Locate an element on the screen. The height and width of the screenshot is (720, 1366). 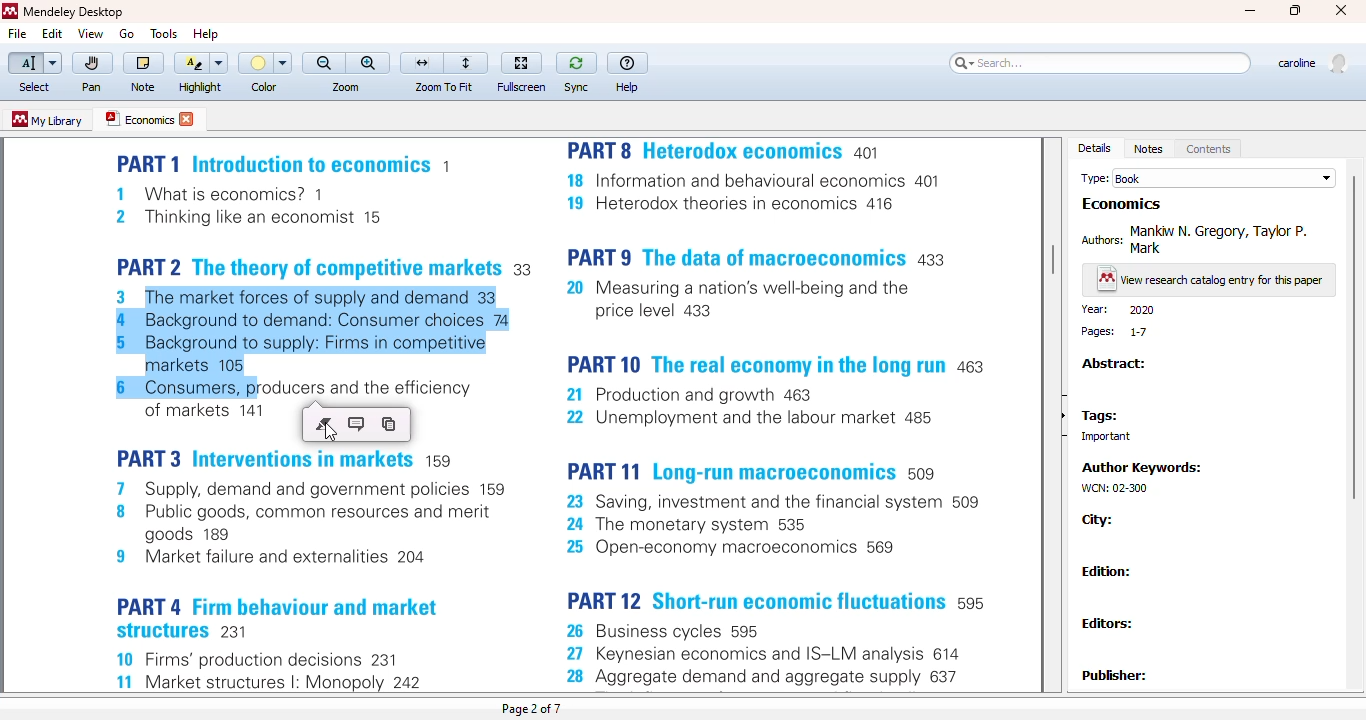
logo is located at coordinates (9, 11).